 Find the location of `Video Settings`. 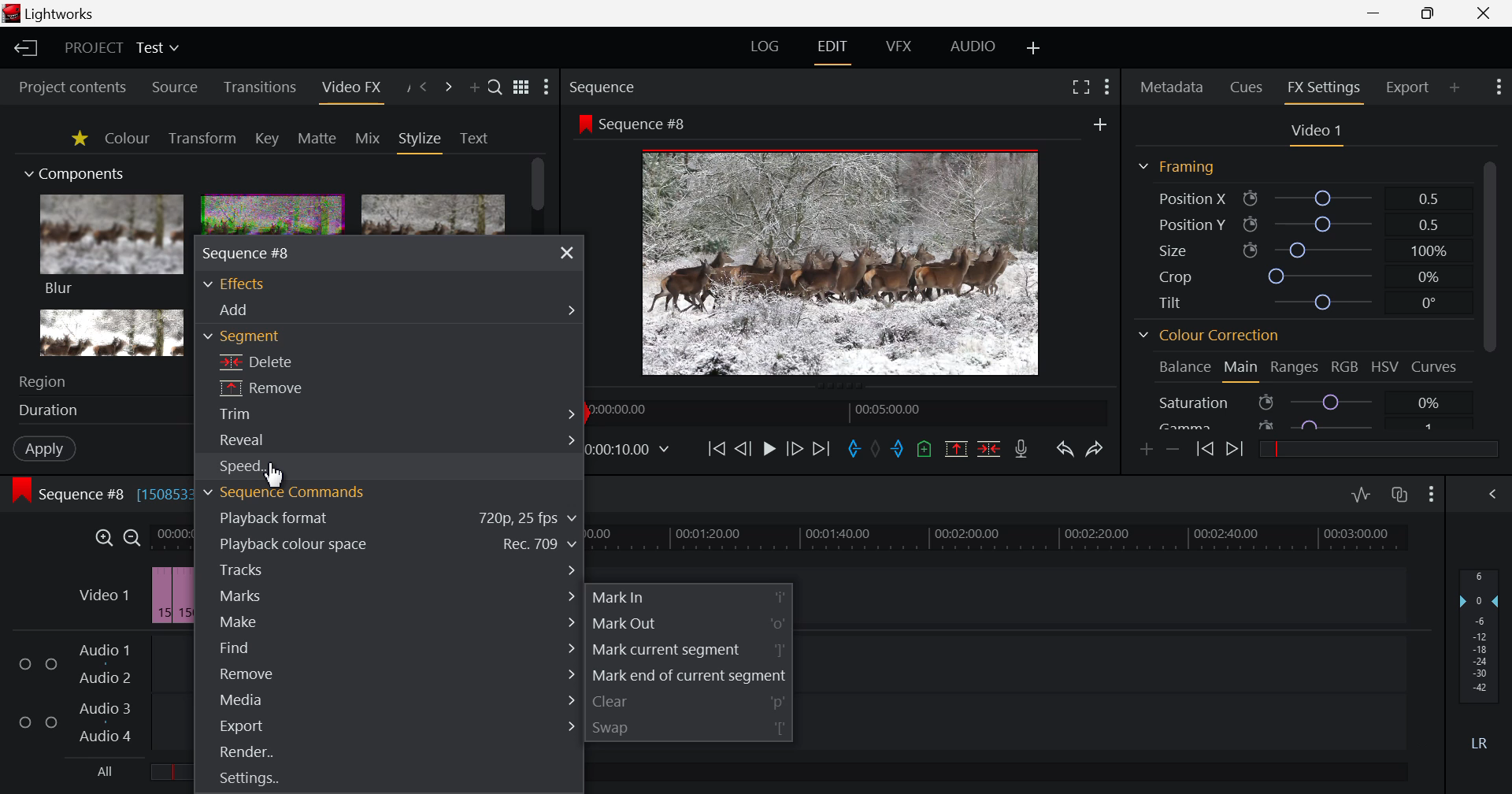

Video Settings is located at coordinates (1314, 133).